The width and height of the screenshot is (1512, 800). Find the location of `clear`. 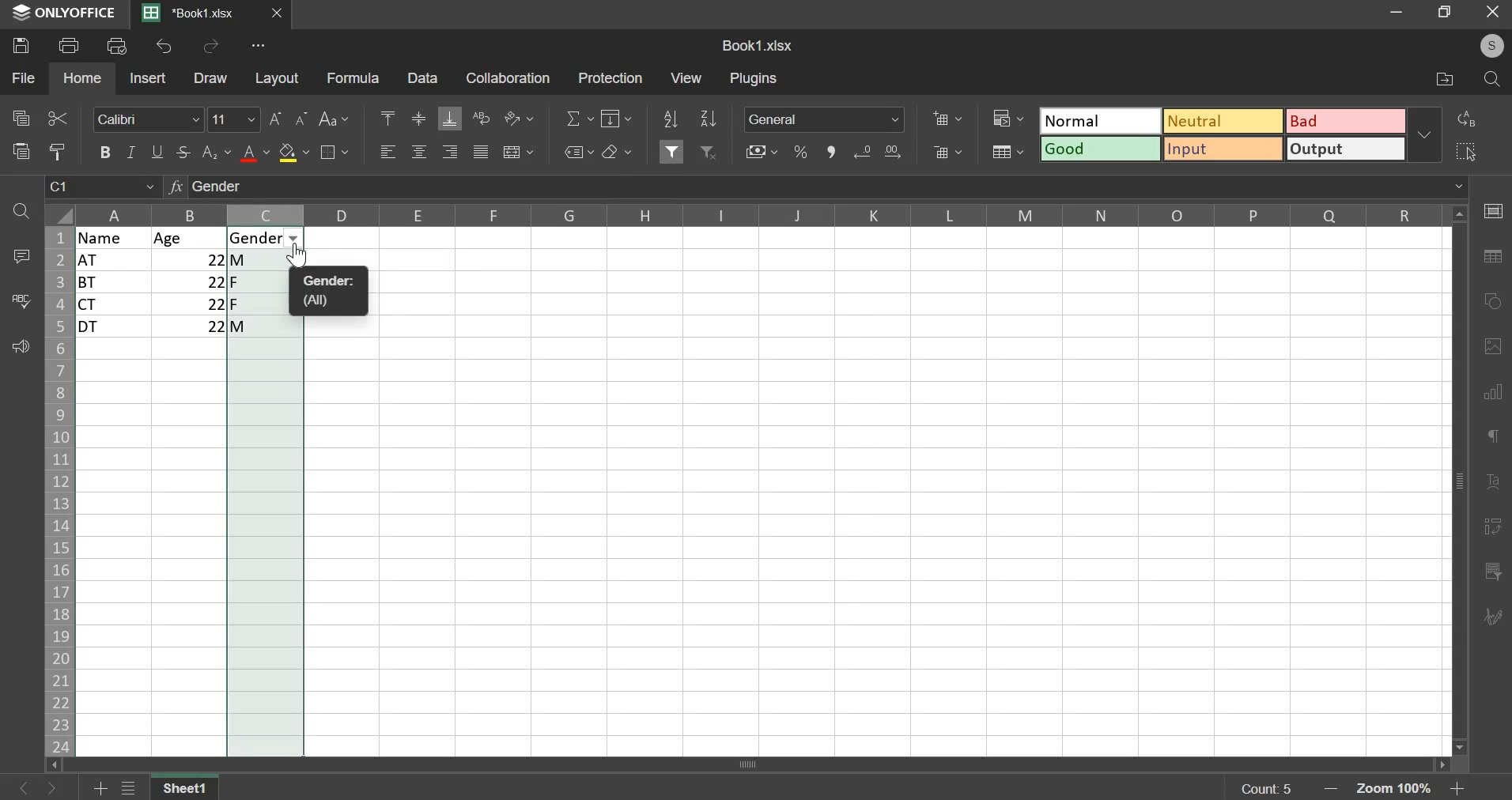

clear is located at coordinates (617, 151).